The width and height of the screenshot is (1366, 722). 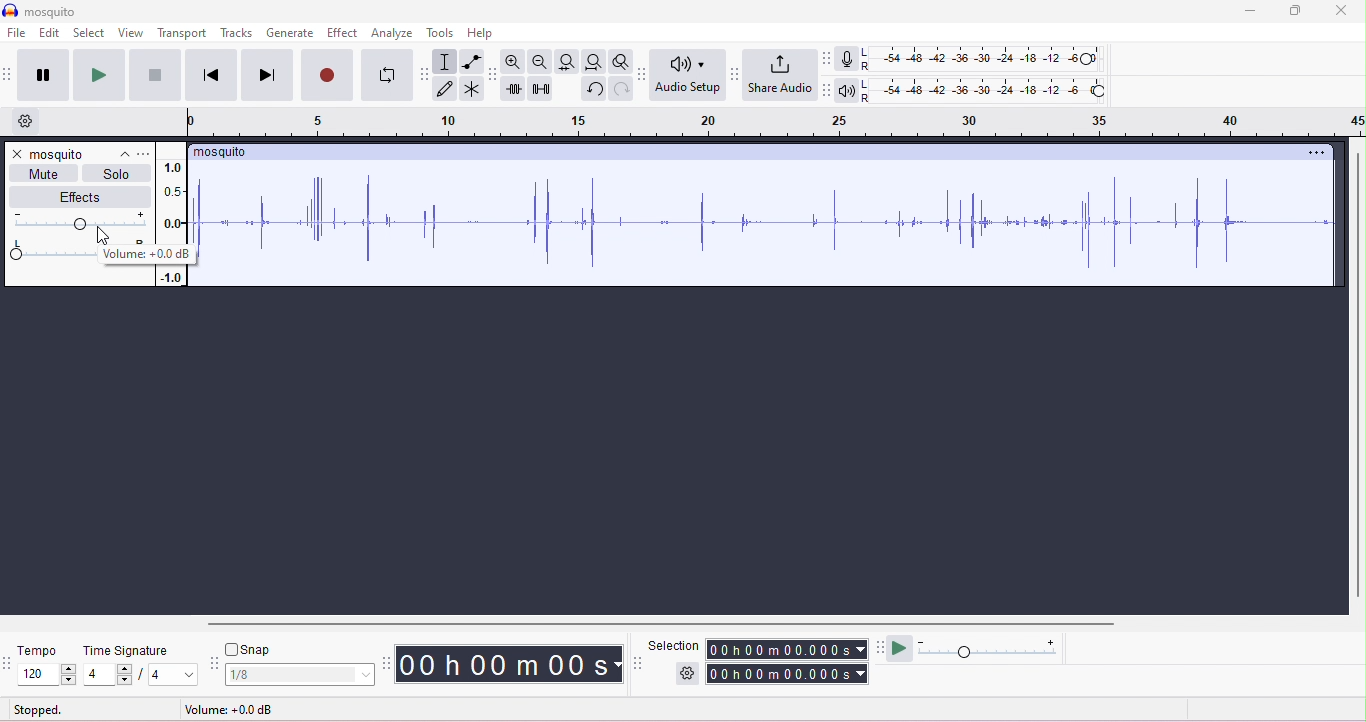 I want to click on select, so click(x=88, y=34).